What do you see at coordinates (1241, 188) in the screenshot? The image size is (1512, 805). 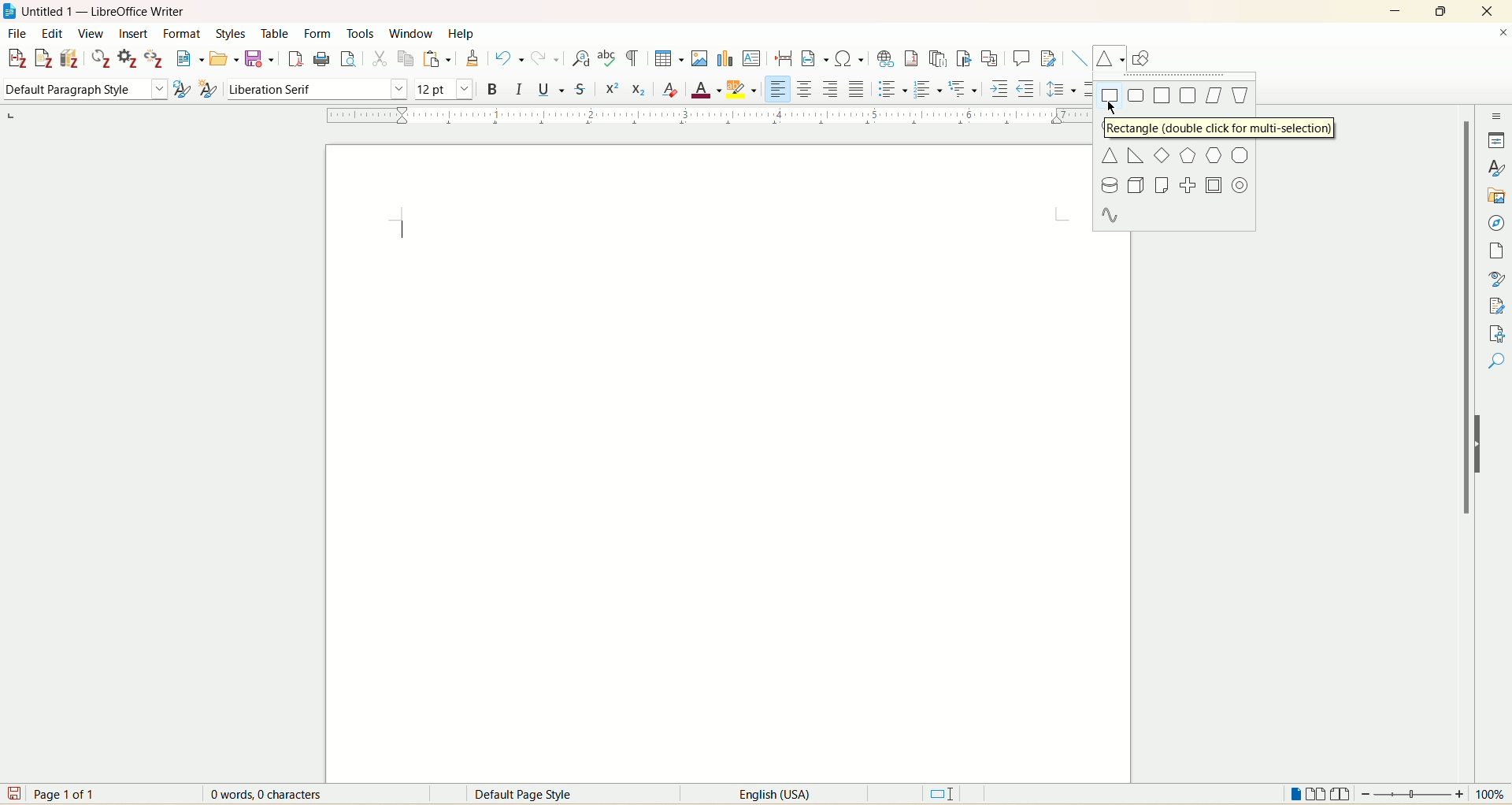 I see `ring` at bounding box center [1241, 188].